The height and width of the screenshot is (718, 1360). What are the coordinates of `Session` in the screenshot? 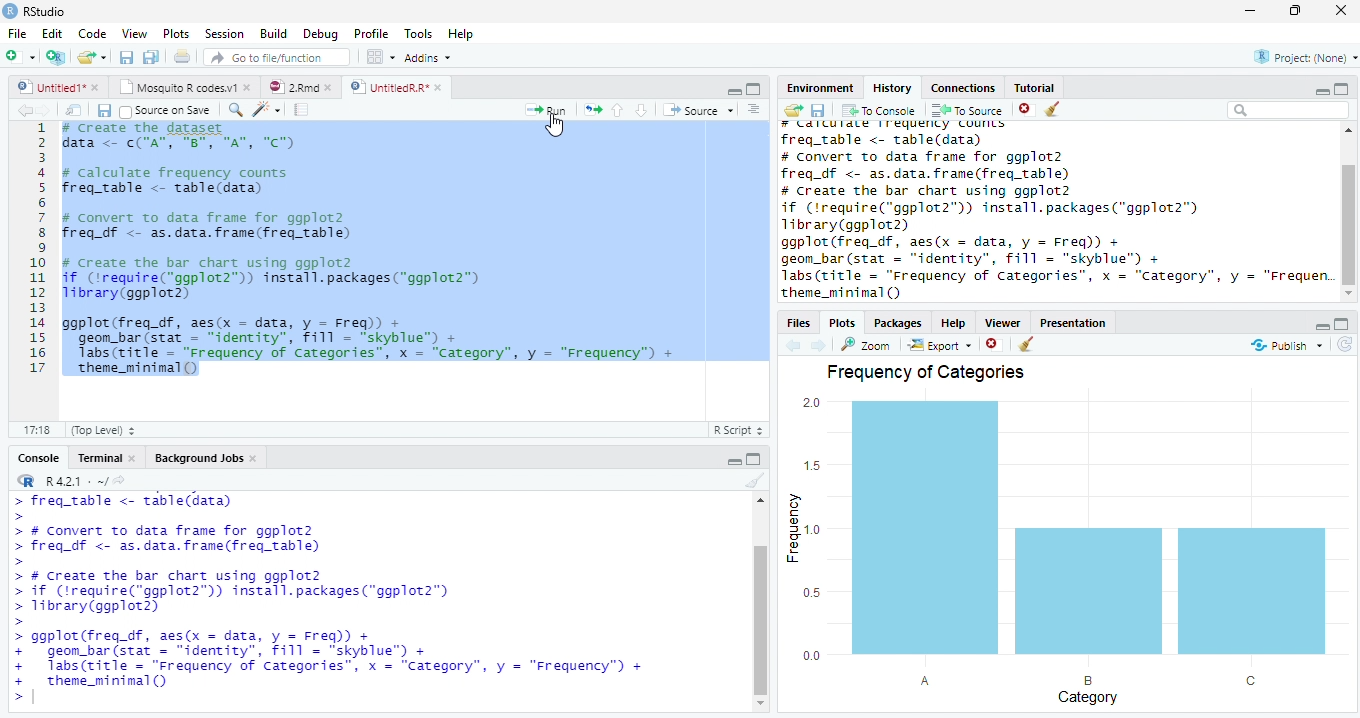 It's located at (224, 35).